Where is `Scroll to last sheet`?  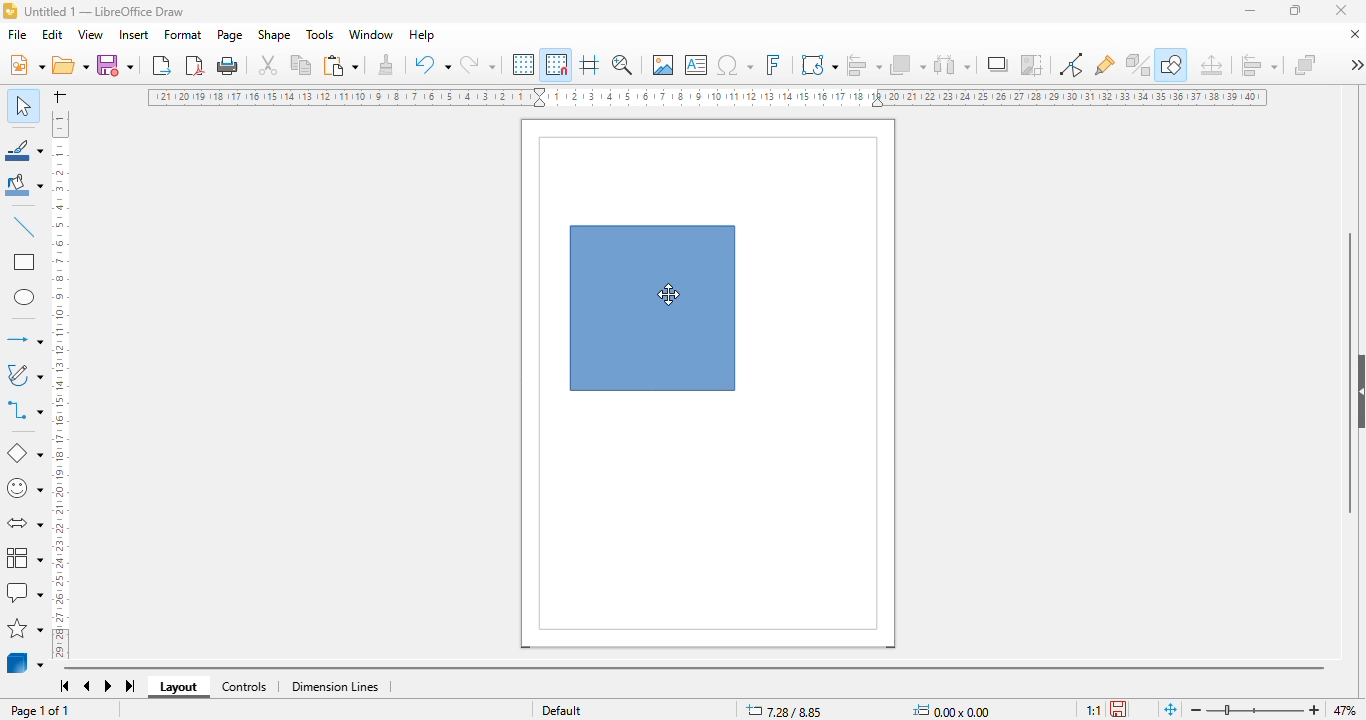 Scroll to last sheet is located at coordinates (132, 686).